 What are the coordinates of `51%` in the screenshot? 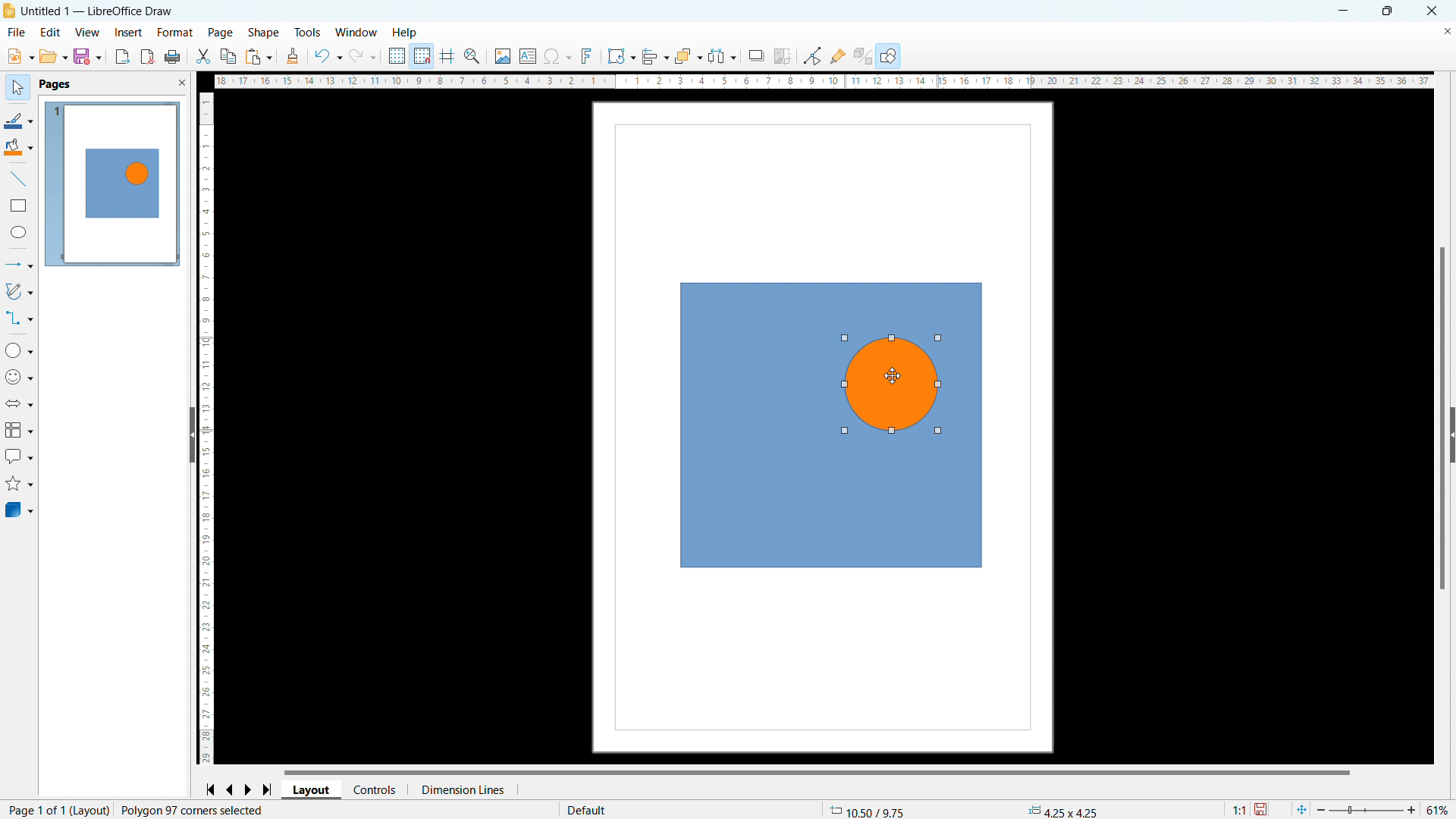 It's located at (1437, 808).